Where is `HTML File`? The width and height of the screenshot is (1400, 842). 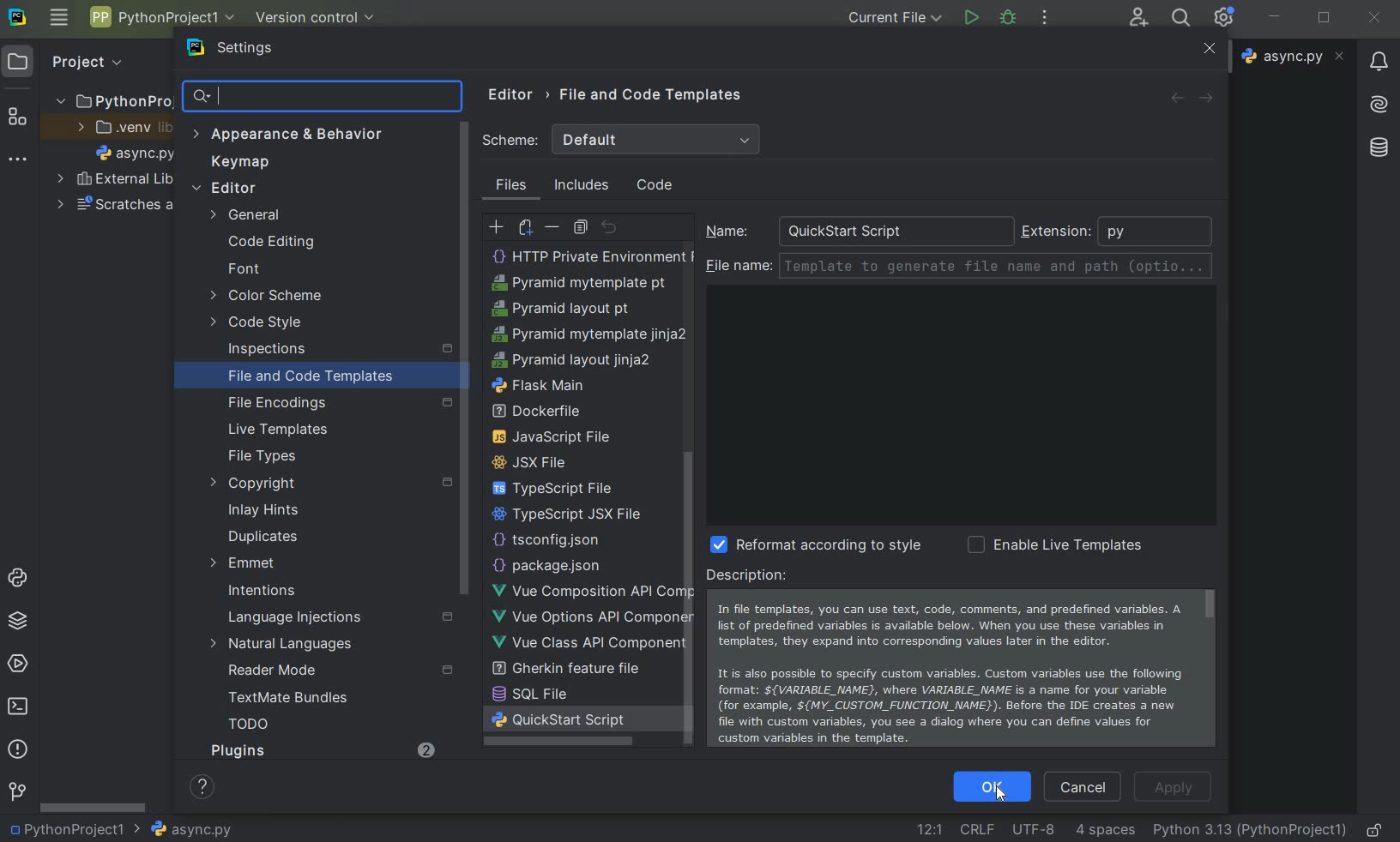 HTML File is located at coordinates (576, 254).